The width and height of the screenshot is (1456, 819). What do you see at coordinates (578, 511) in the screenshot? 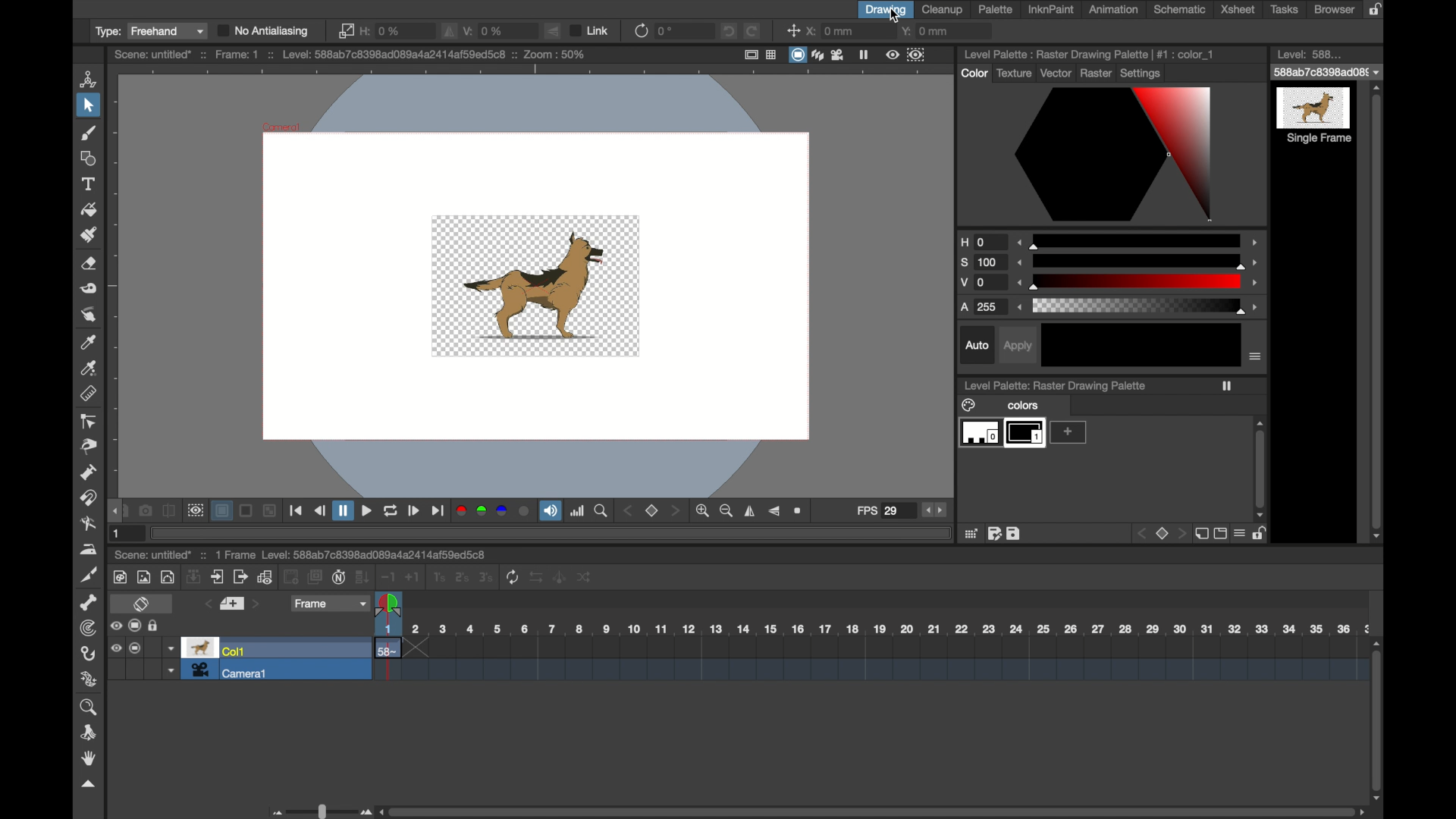
I see `histogram` at bounding box center [578, 511].